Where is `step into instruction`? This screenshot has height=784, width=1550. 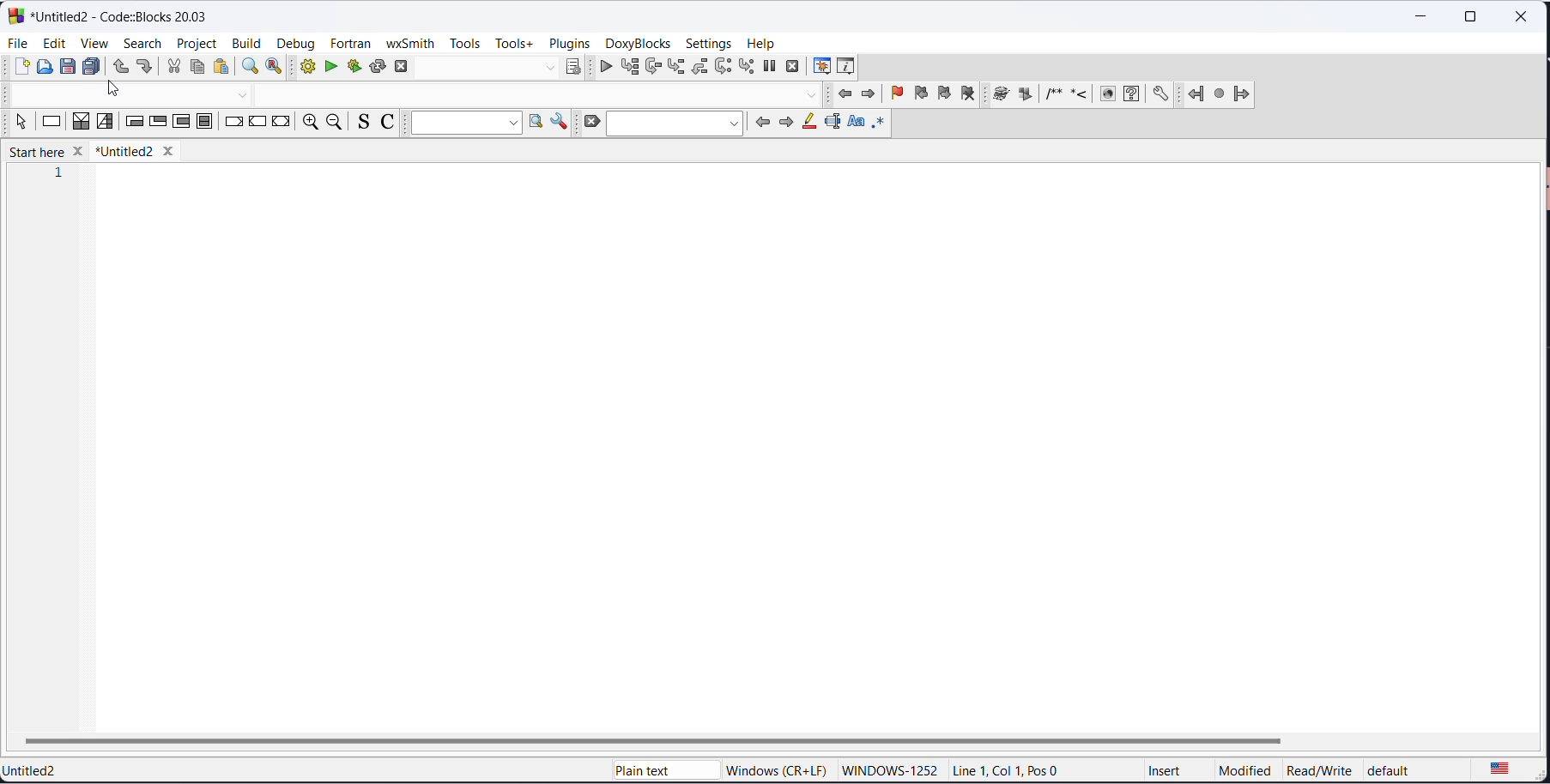
step into instruction is located at coordinates (745, 69).